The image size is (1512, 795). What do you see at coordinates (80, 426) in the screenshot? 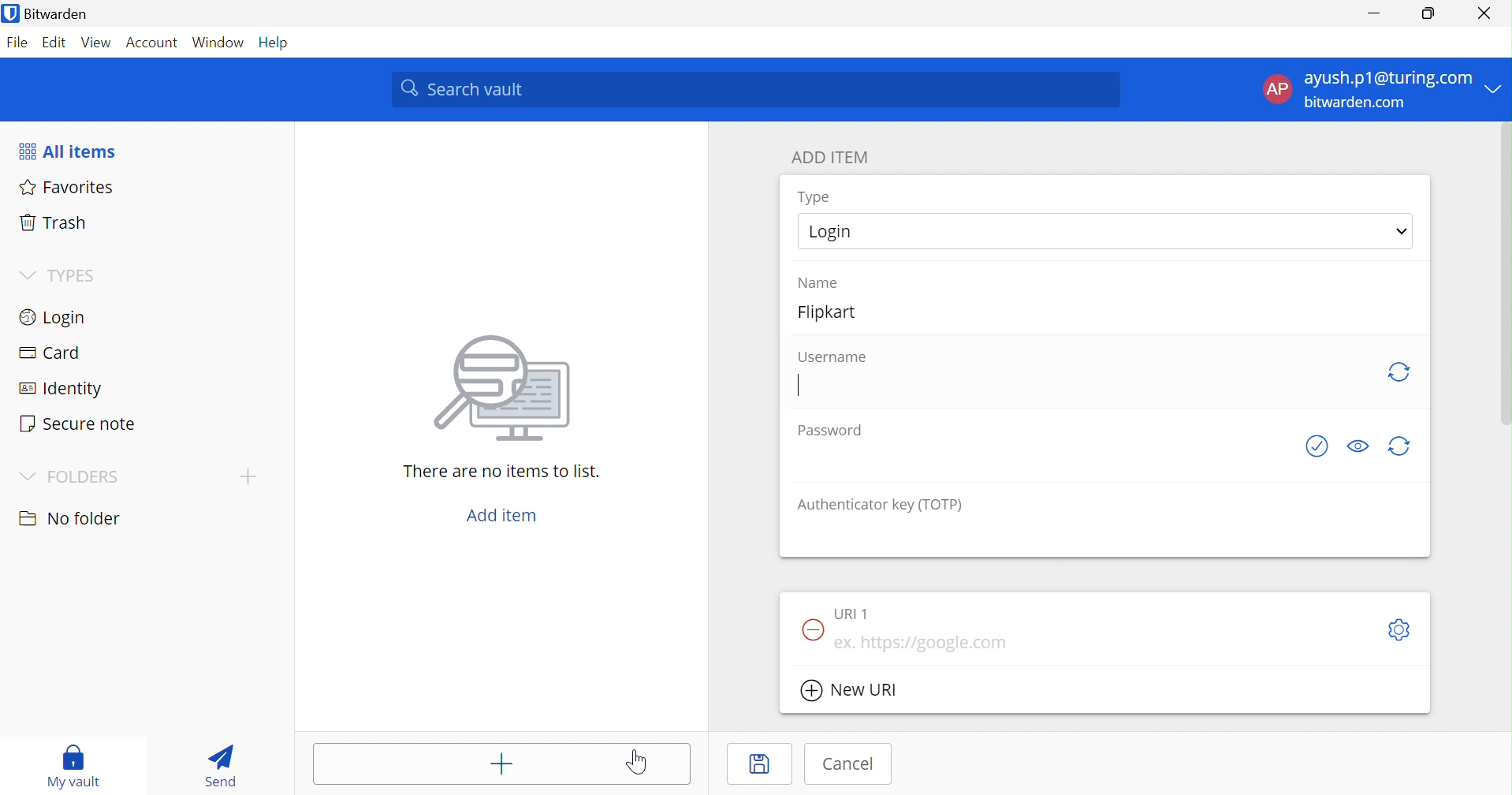
I see `Secure note` at bounding box center [80, 426].